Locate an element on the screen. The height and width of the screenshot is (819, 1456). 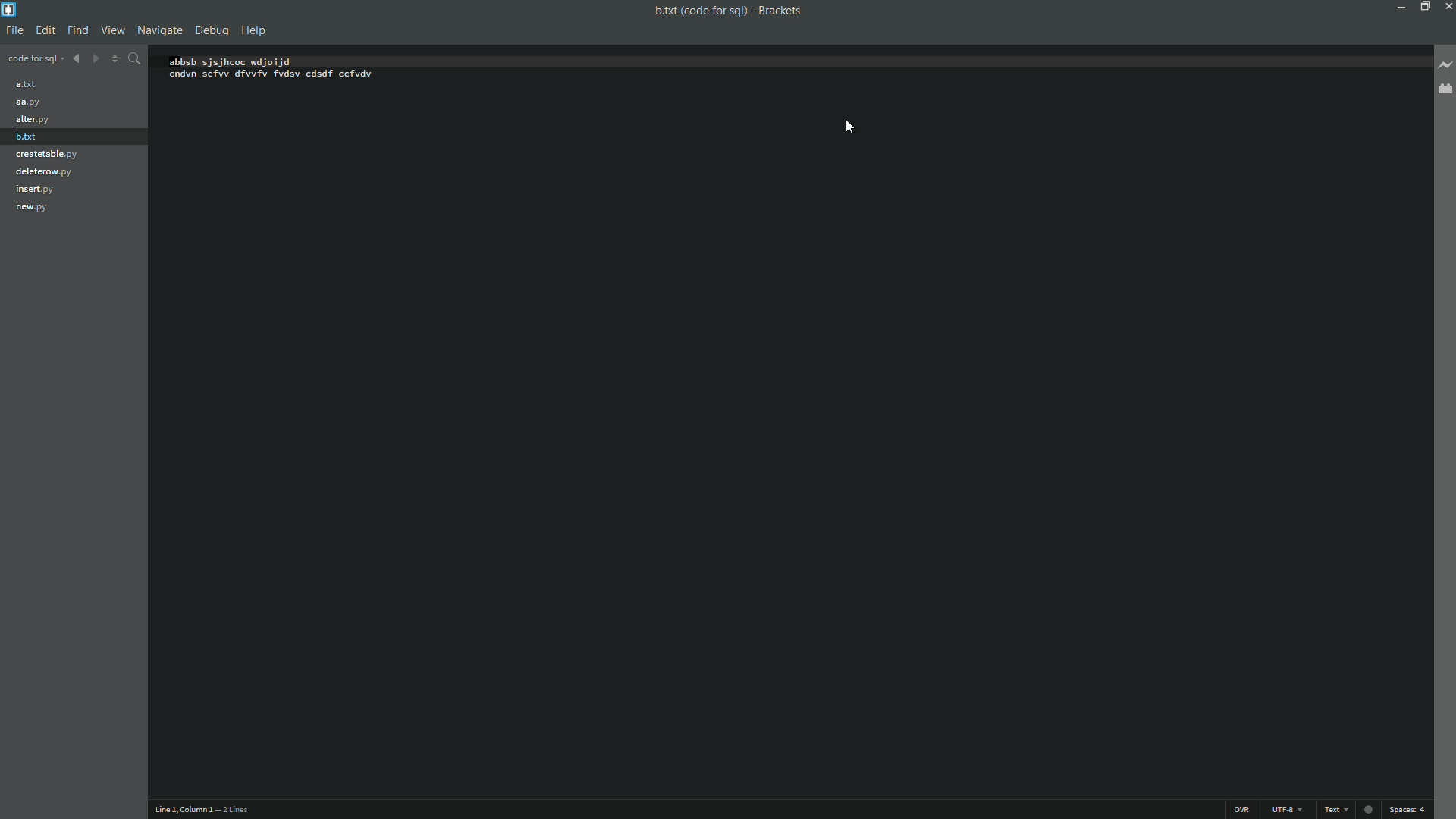
navigate forward is located at coordinates (95, 58).